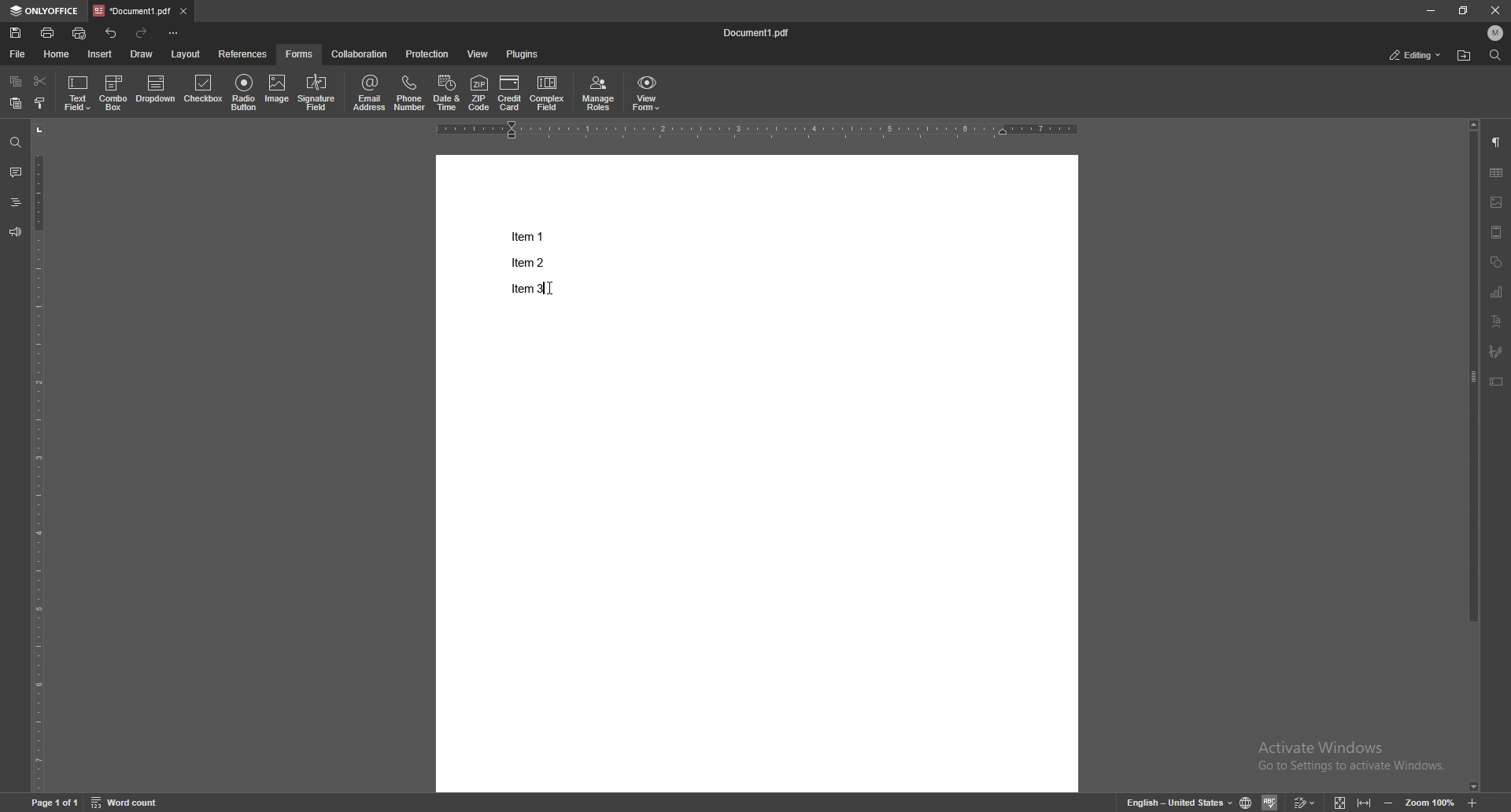  What do you see at coordinates (41, 102) in the screenshot?
I see `copy style` at bounding box center [41, 102].